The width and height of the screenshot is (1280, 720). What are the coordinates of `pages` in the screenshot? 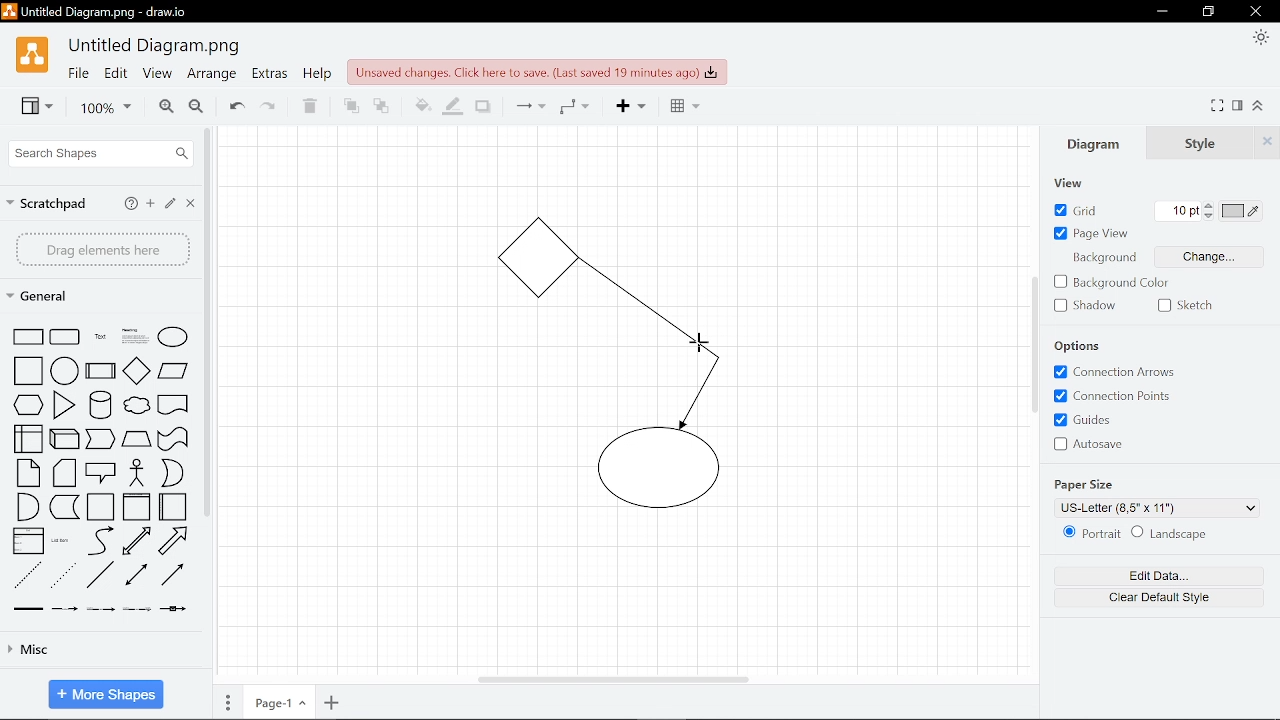 It's located at (228, 703).